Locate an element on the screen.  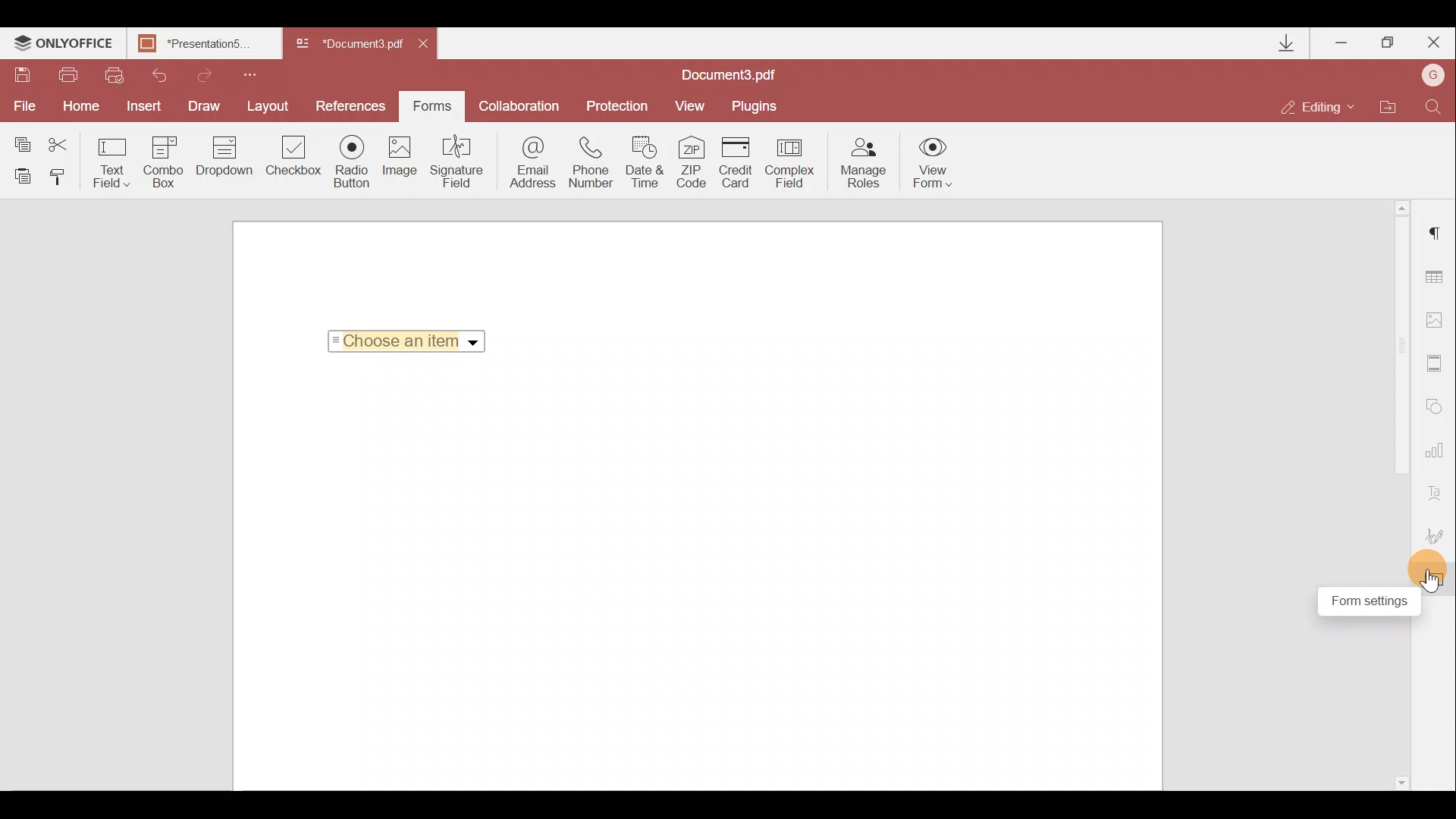
ZIP code is located at coordinates (696, 165).